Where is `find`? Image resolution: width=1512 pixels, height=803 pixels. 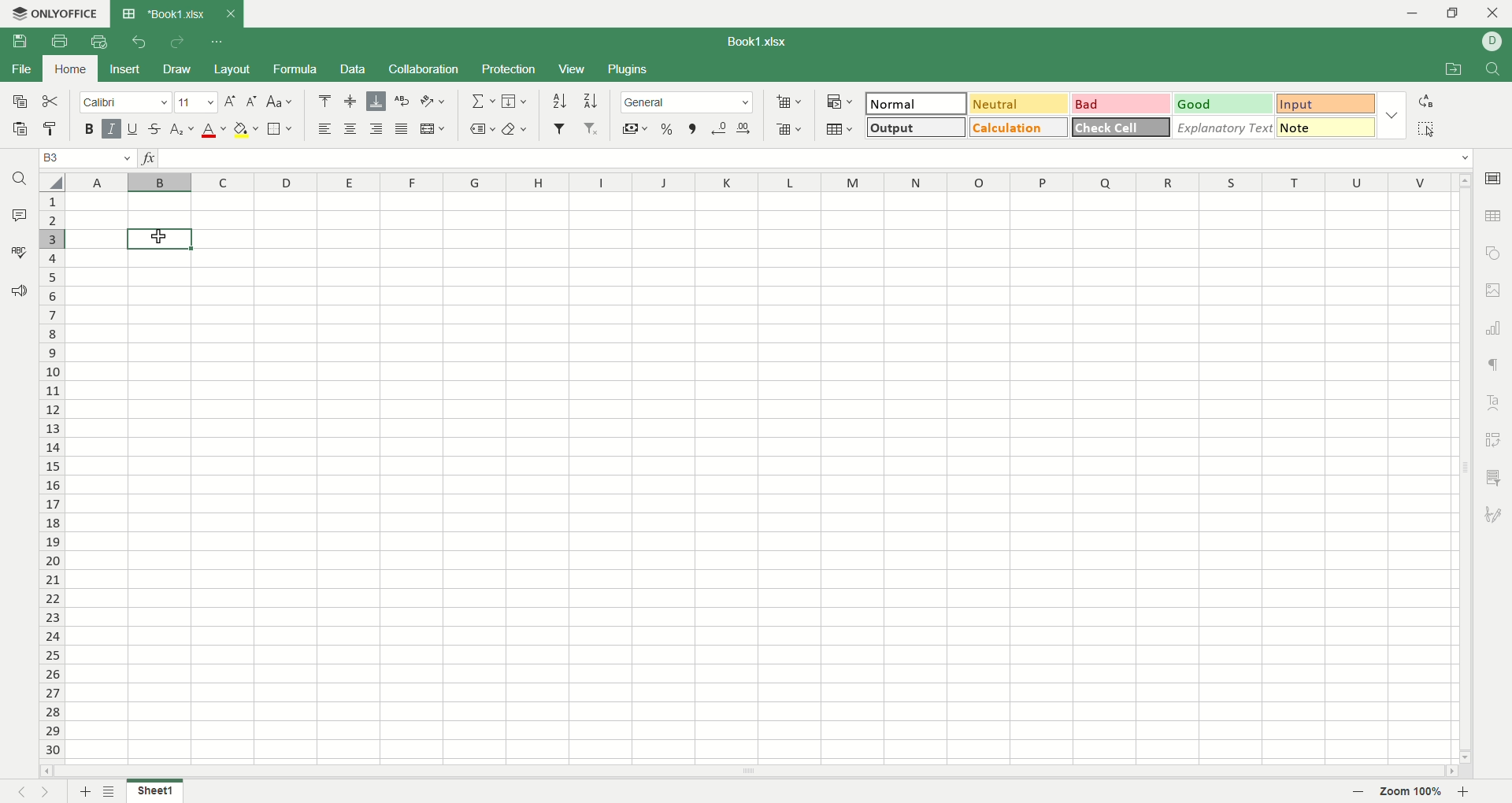 find is located at coordinates (1497, 69).